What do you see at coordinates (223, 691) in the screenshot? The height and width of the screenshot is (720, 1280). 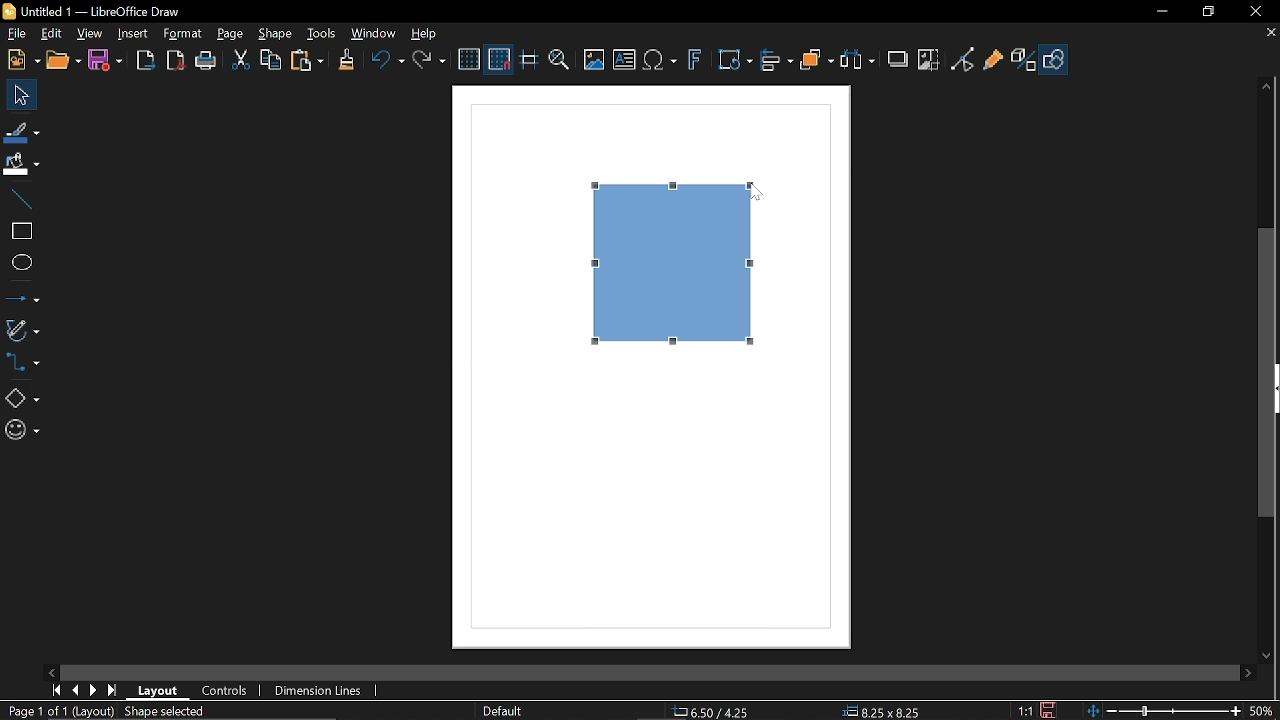 I see `Controls` at bounding box center [223, 691].